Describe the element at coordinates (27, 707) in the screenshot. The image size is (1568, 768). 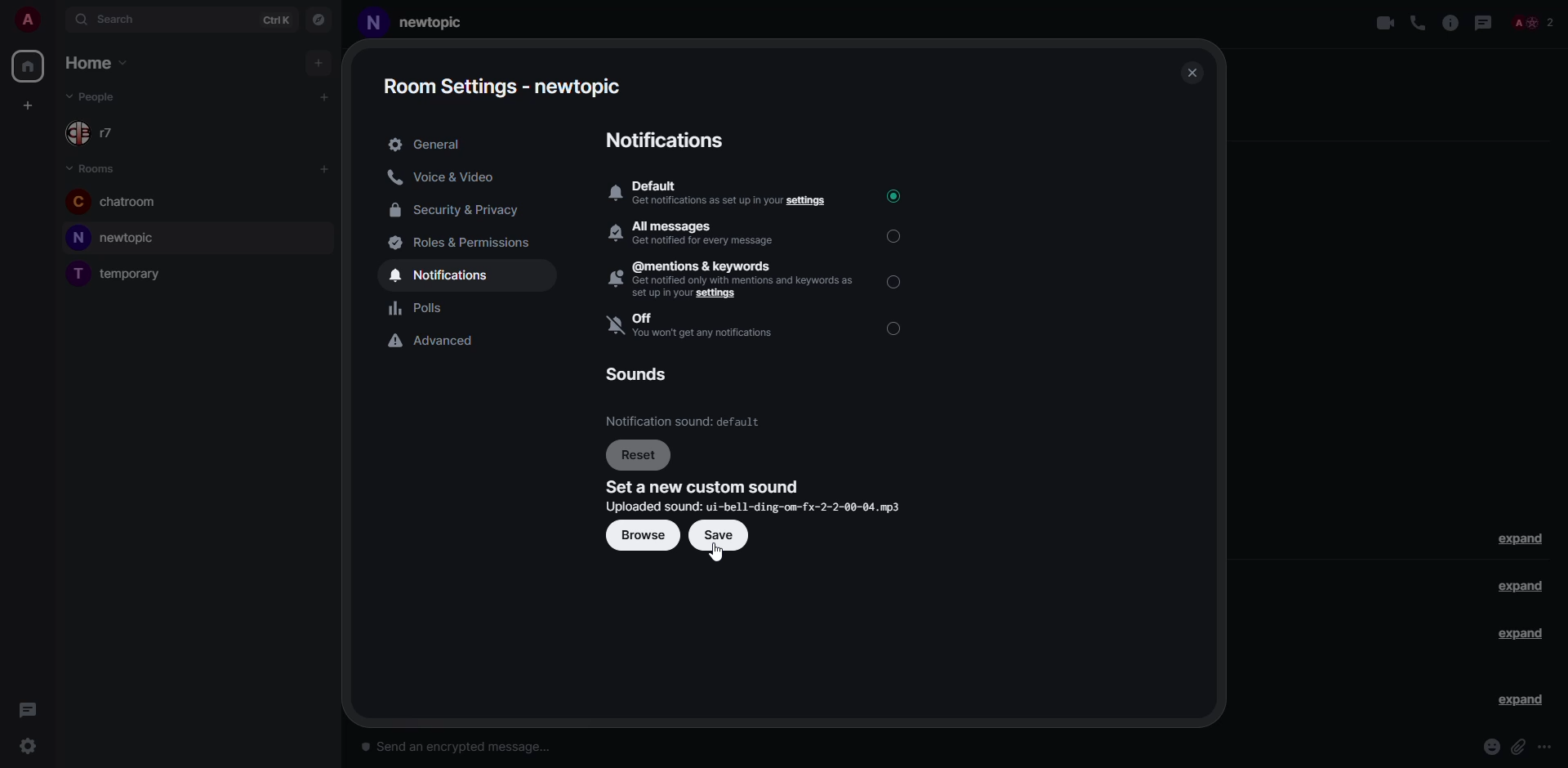
I see `threads` at that location.